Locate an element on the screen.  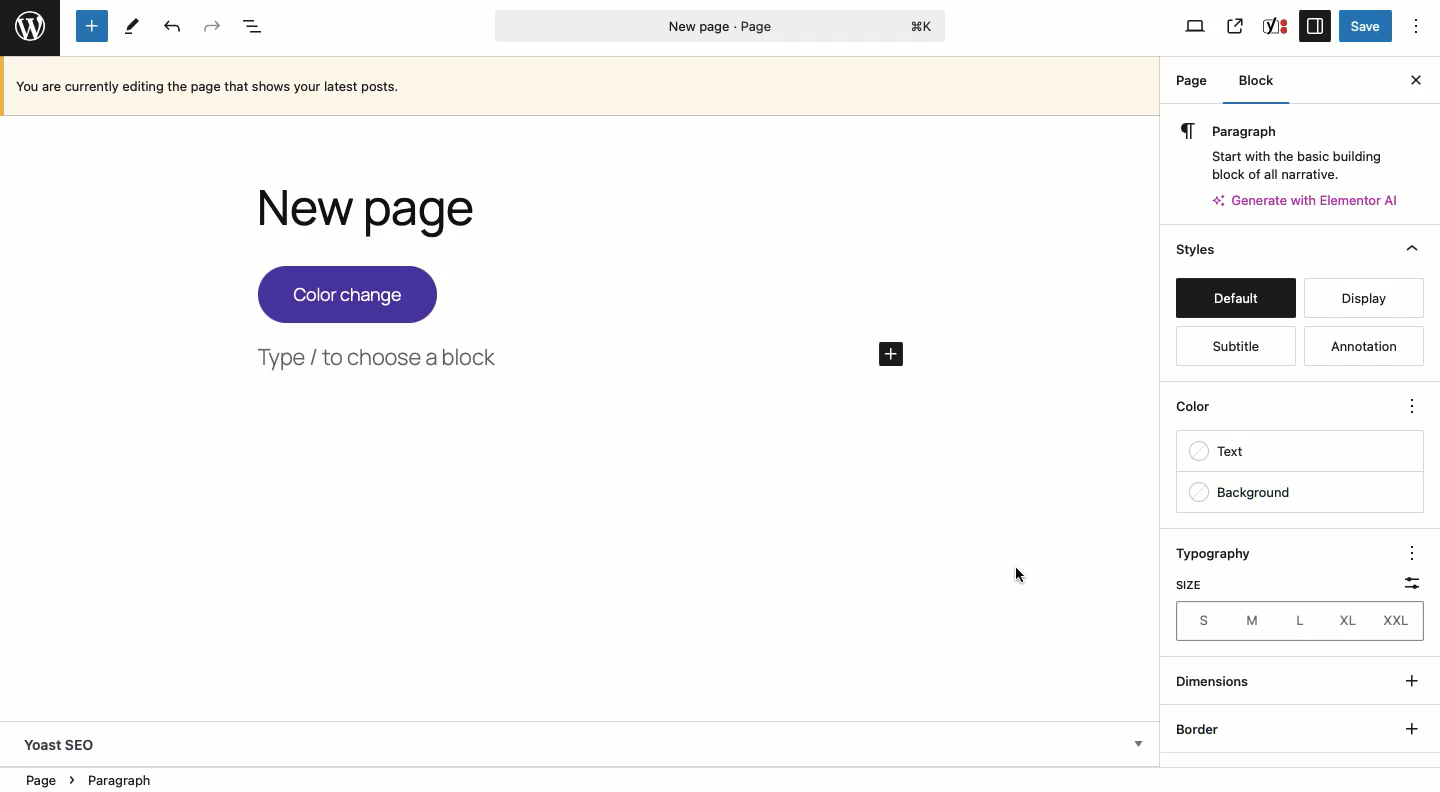
Paragraph Start with the basic building block of all narrative.  Generate with Elementor Al is located at coordinates (1295, 166).